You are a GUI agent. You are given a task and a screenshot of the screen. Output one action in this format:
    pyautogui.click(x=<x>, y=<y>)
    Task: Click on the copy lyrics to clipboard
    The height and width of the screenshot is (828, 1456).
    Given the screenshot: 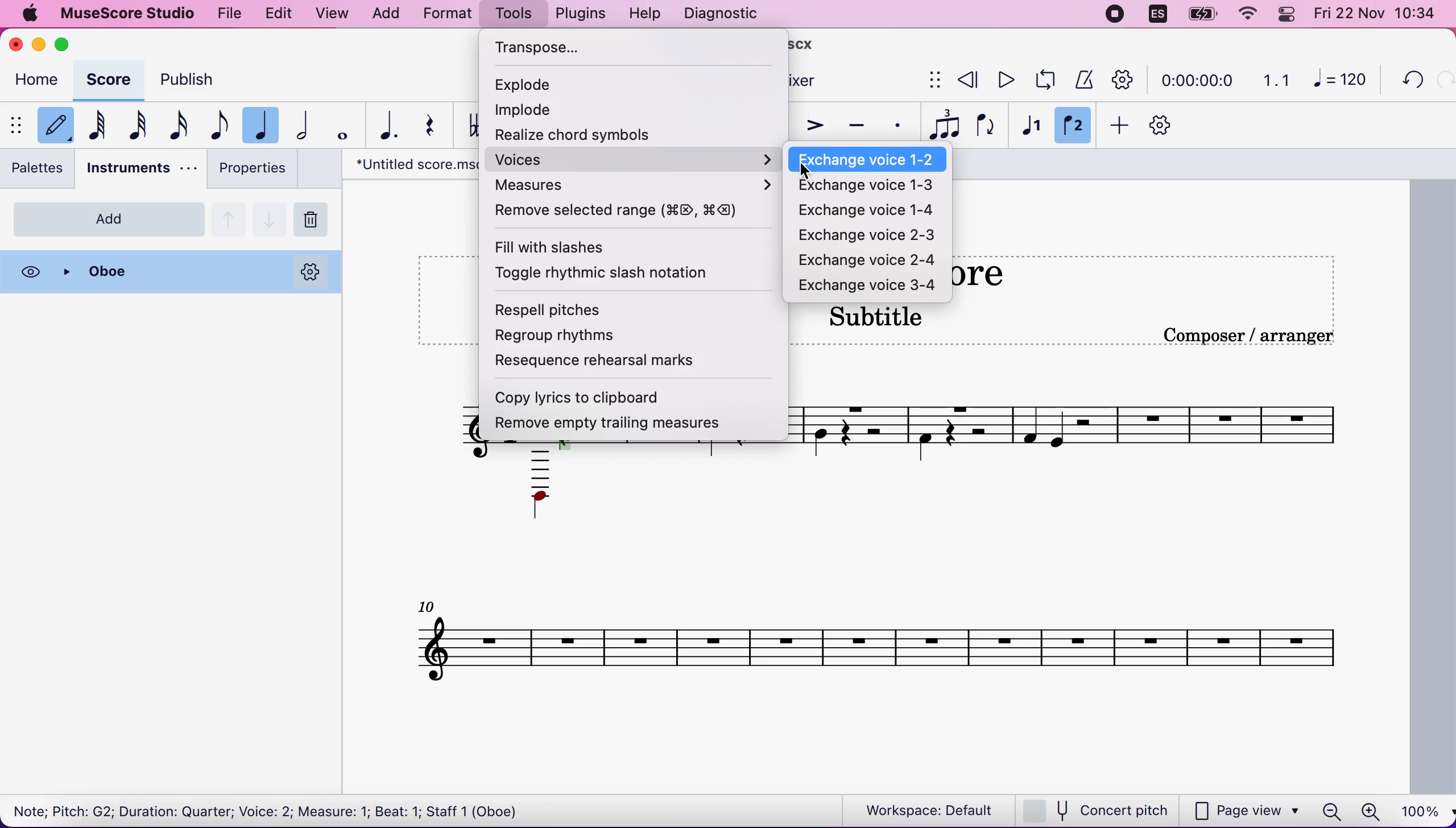 What is the action you would take?
    pyautogui.click(x=596, y=396)
    